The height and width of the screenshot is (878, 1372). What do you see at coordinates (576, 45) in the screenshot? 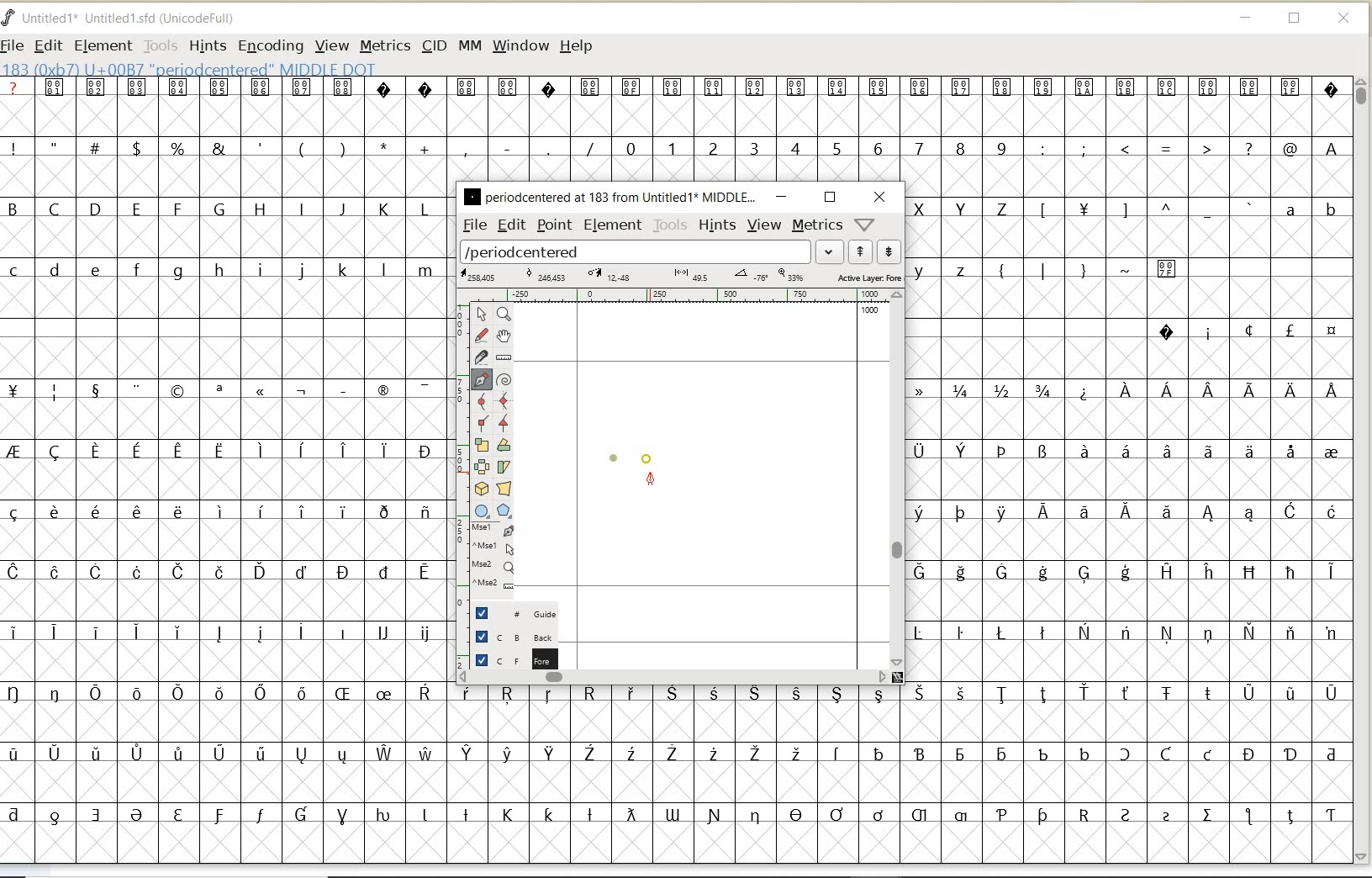
I see `HELP` at bounding box center [576, 45].